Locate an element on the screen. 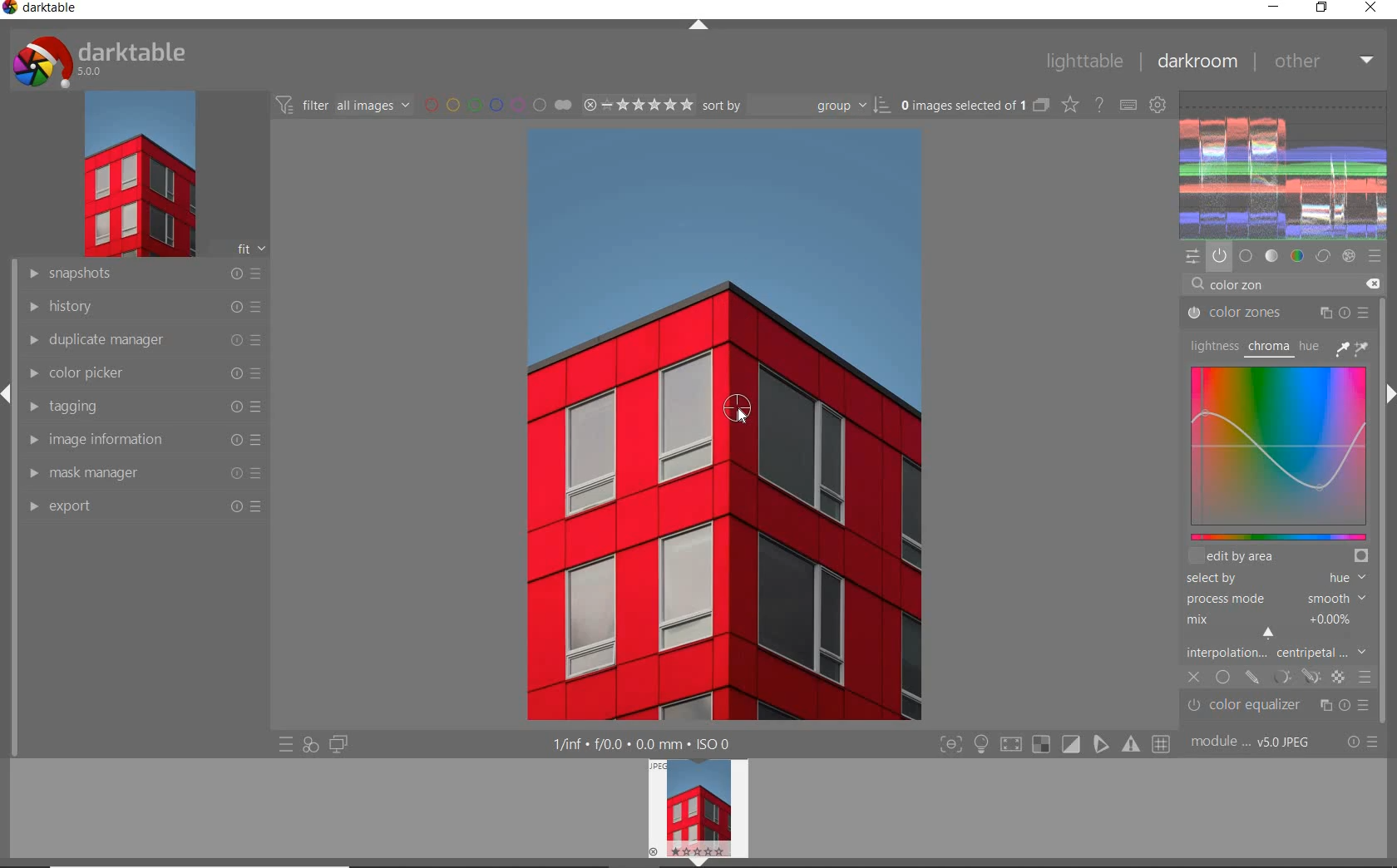 The height and width of the screenshot is (868, 1397). Sort is located at coordinates (797, 106).